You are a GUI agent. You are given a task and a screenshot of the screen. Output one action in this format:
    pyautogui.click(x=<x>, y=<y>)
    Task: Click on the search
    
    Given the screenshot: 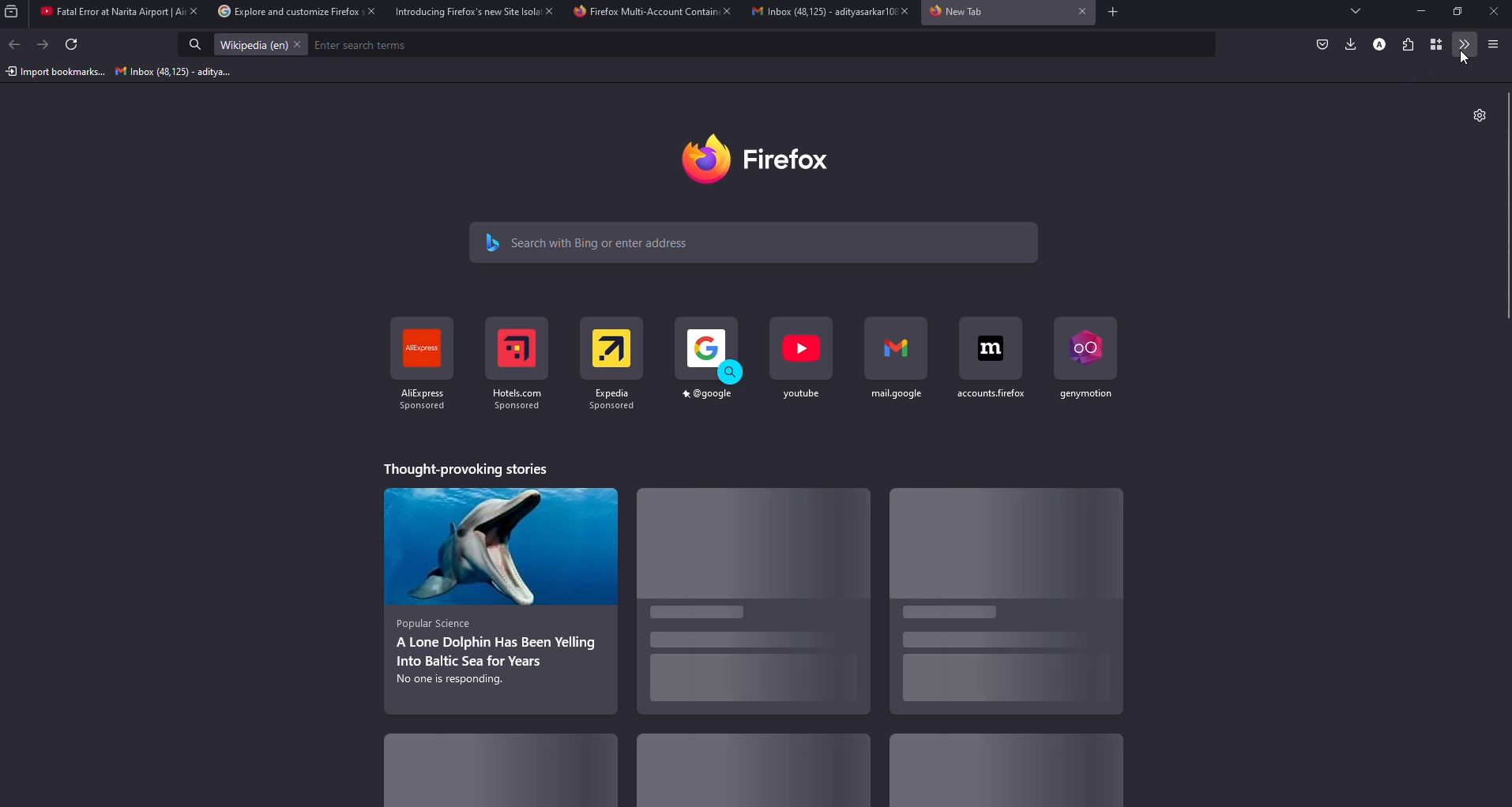 What is the action you would take?
    pyautogui.click(x=592, y=241)
    